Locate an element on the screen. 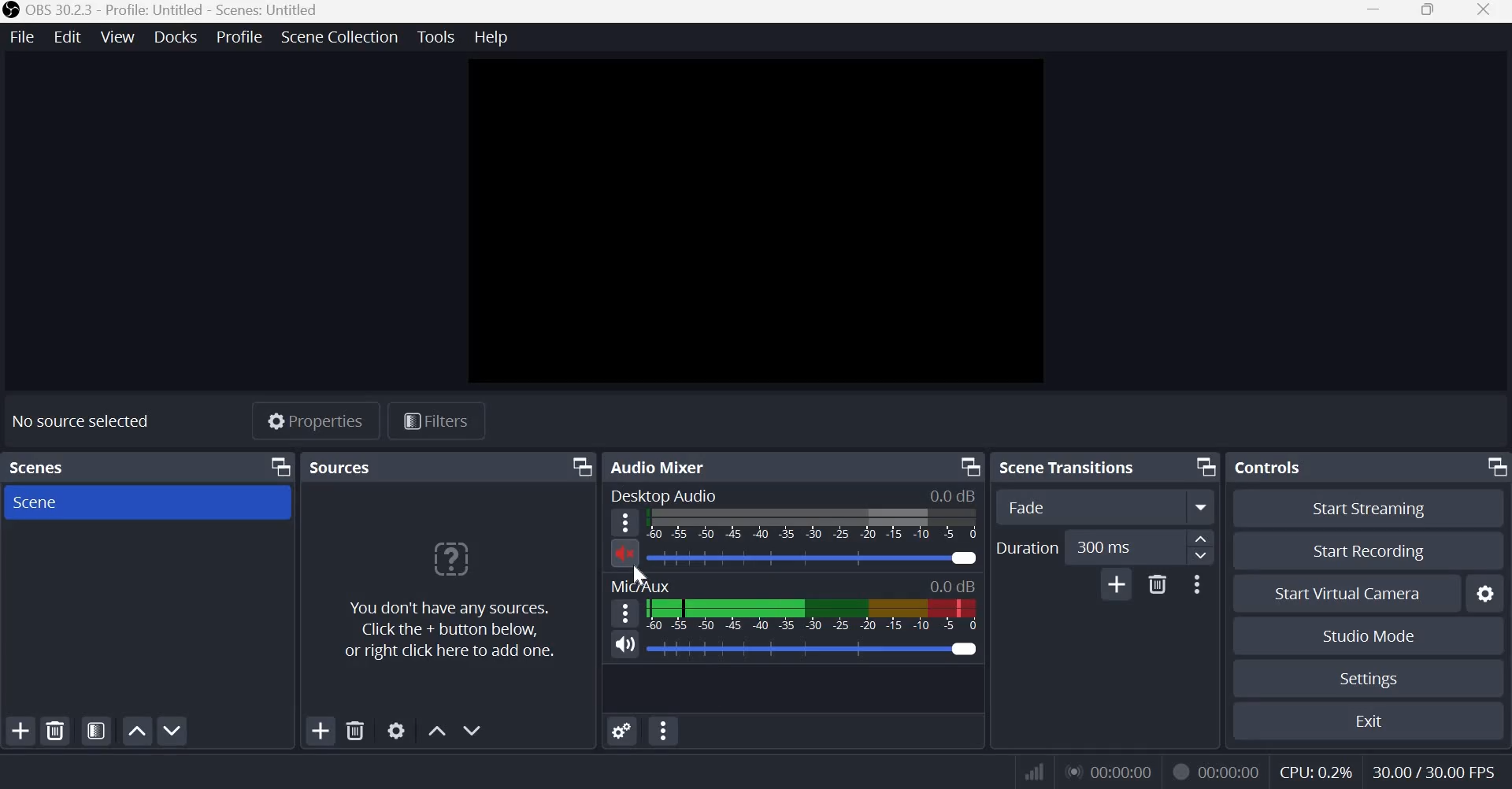 The width and height of the screenshot is (1512, 789). Add source(s) is located at coordinates (322, 731).